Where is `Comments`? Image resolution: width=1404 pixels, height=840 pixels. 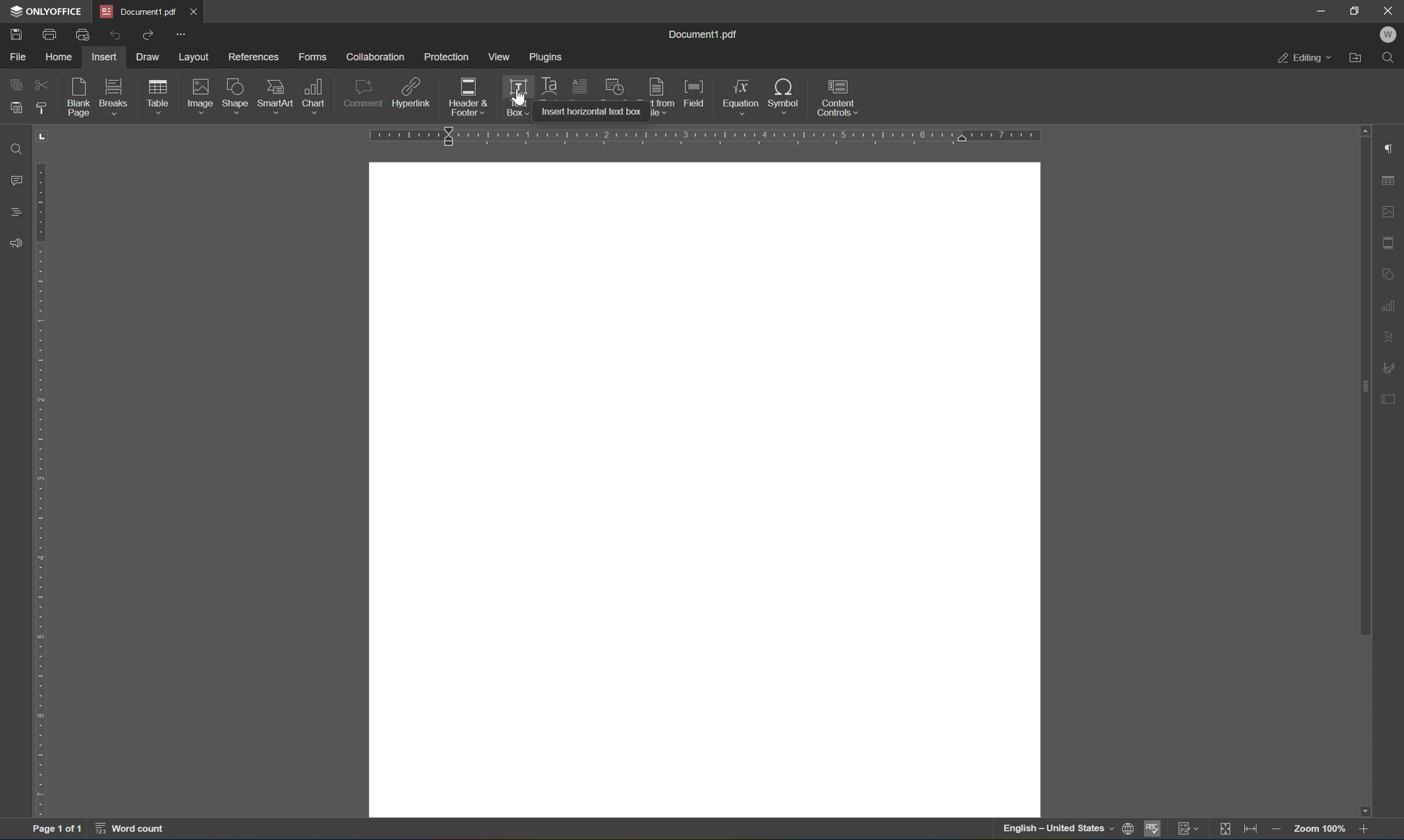 Comments is located at coordinates (19, 181).